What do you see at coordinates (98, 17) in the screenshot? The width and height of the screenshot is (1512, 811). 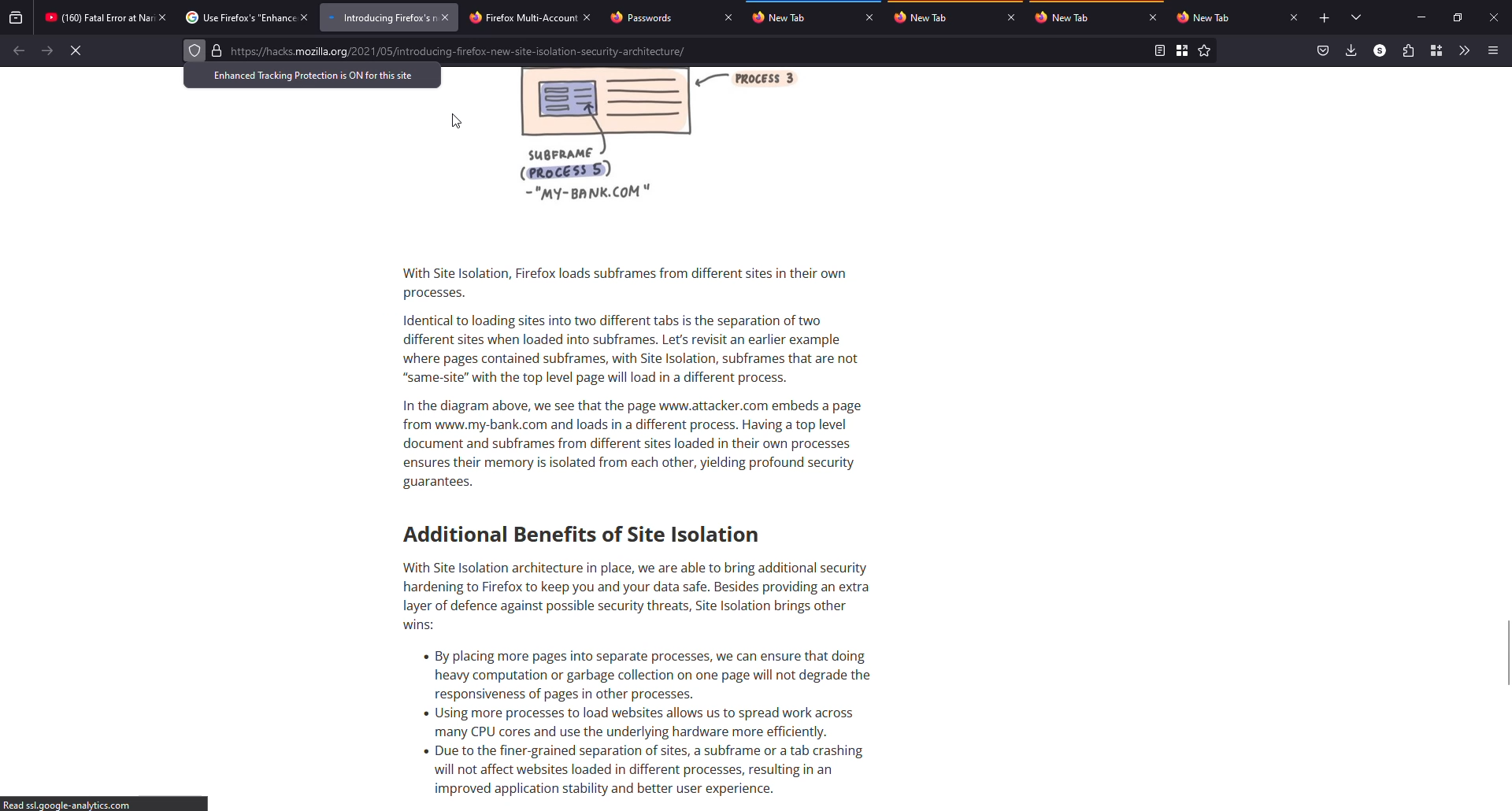 I see `tab` at bounding box center [98, 17].